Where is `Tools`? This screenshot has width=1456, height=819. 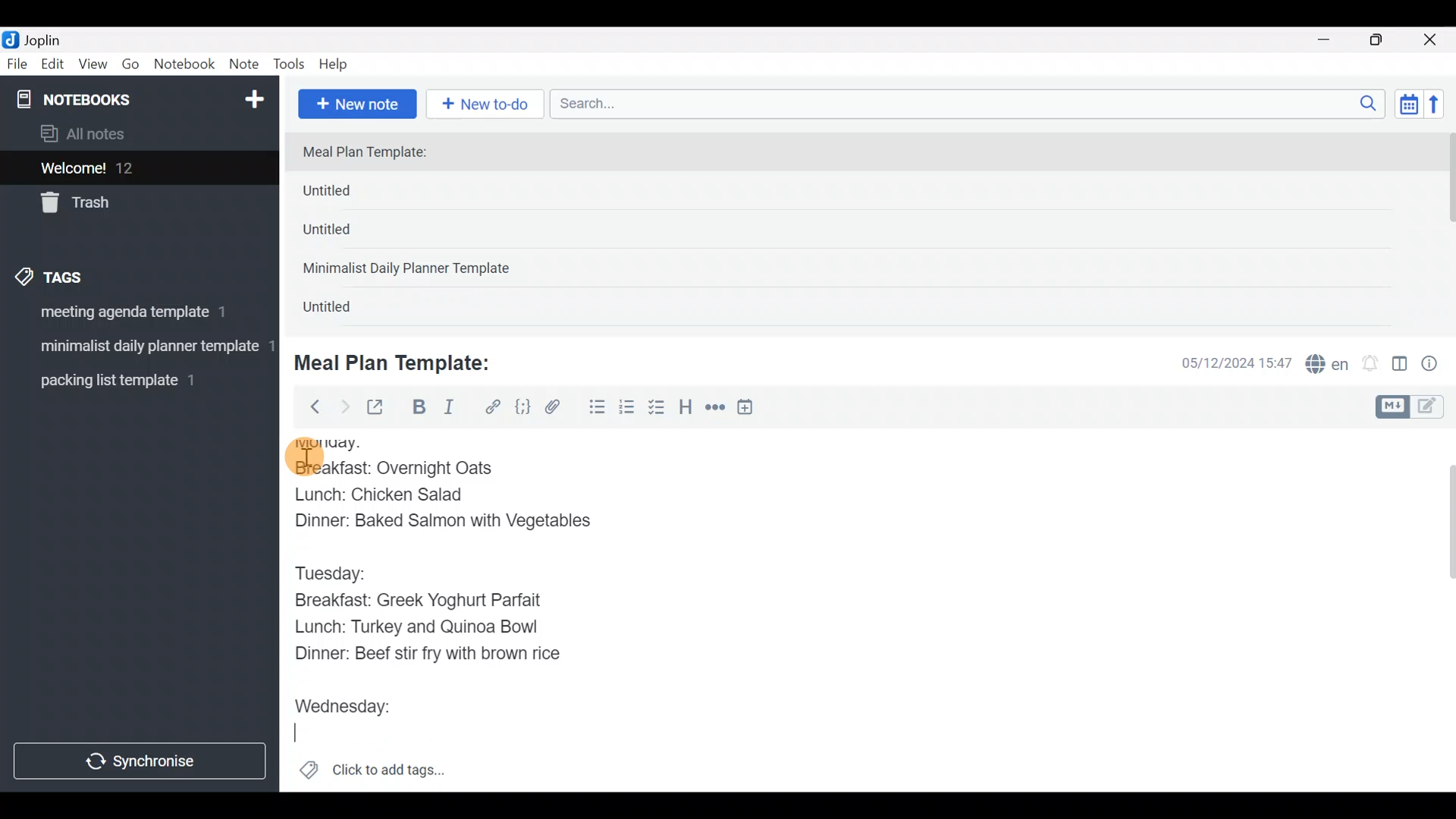
Tools is located at coordinates (290, 65).